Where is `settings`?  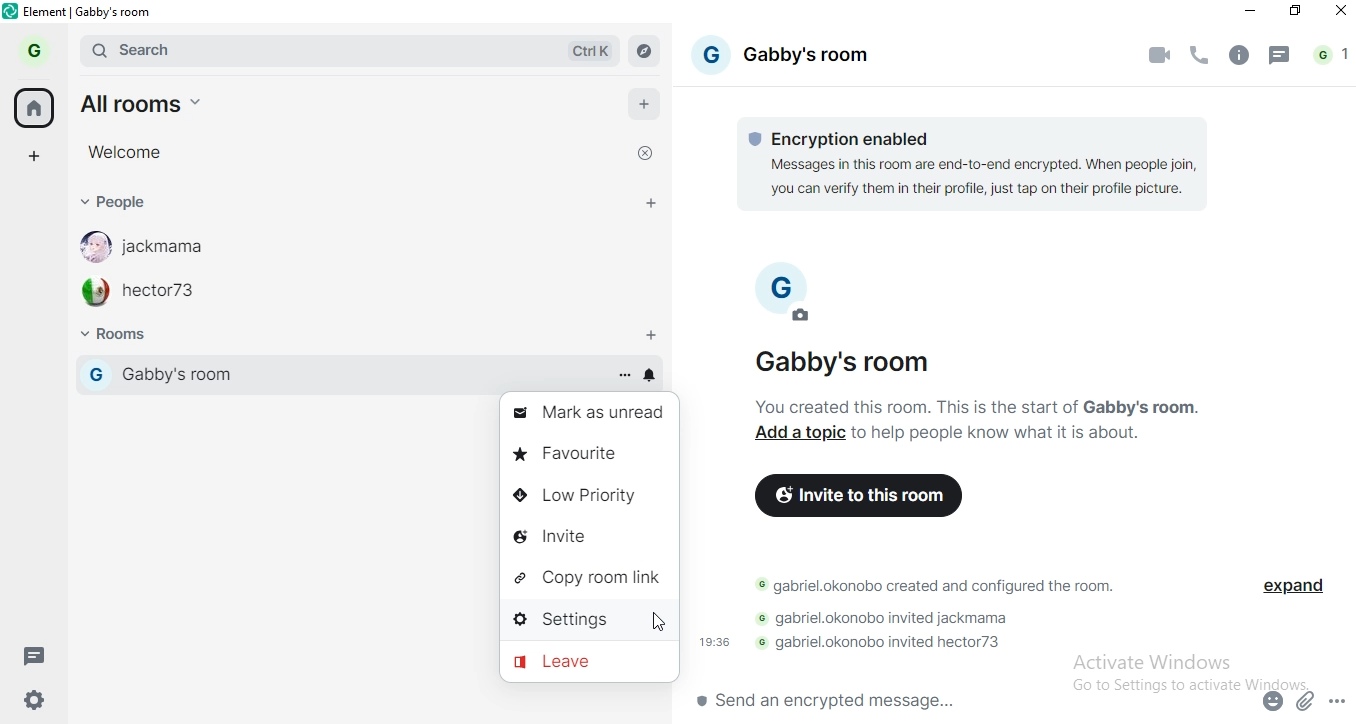
settings is located at coordinates (41, 698).